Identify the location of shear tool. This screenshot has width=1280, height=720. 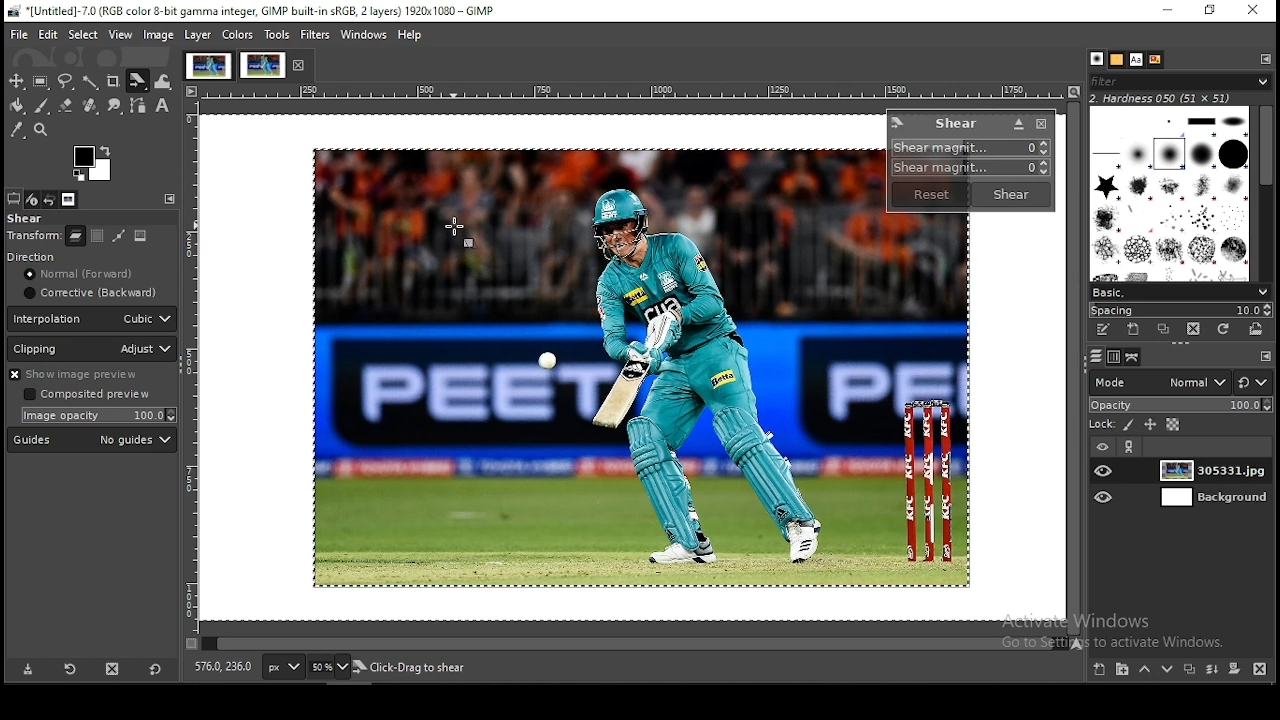
(138, 80).